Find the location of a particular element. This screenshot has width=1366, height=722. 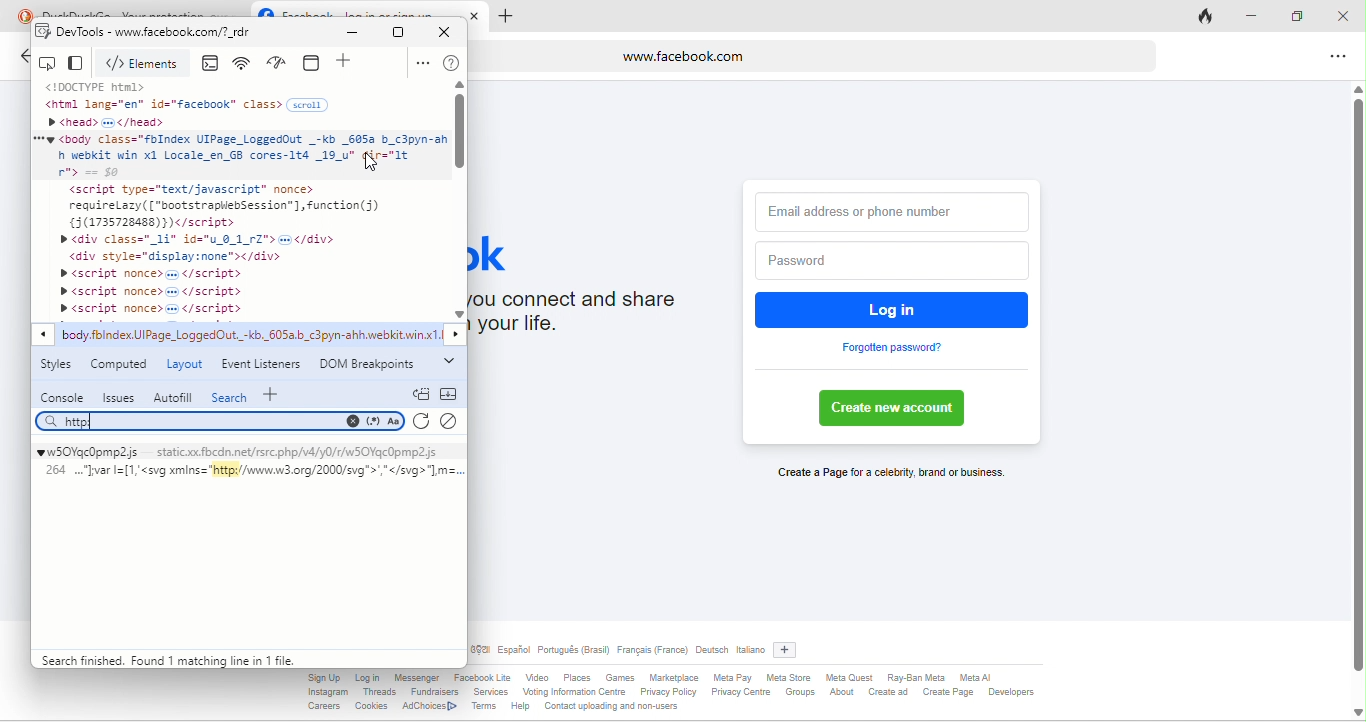

email address is located at coordinates (893, 208).